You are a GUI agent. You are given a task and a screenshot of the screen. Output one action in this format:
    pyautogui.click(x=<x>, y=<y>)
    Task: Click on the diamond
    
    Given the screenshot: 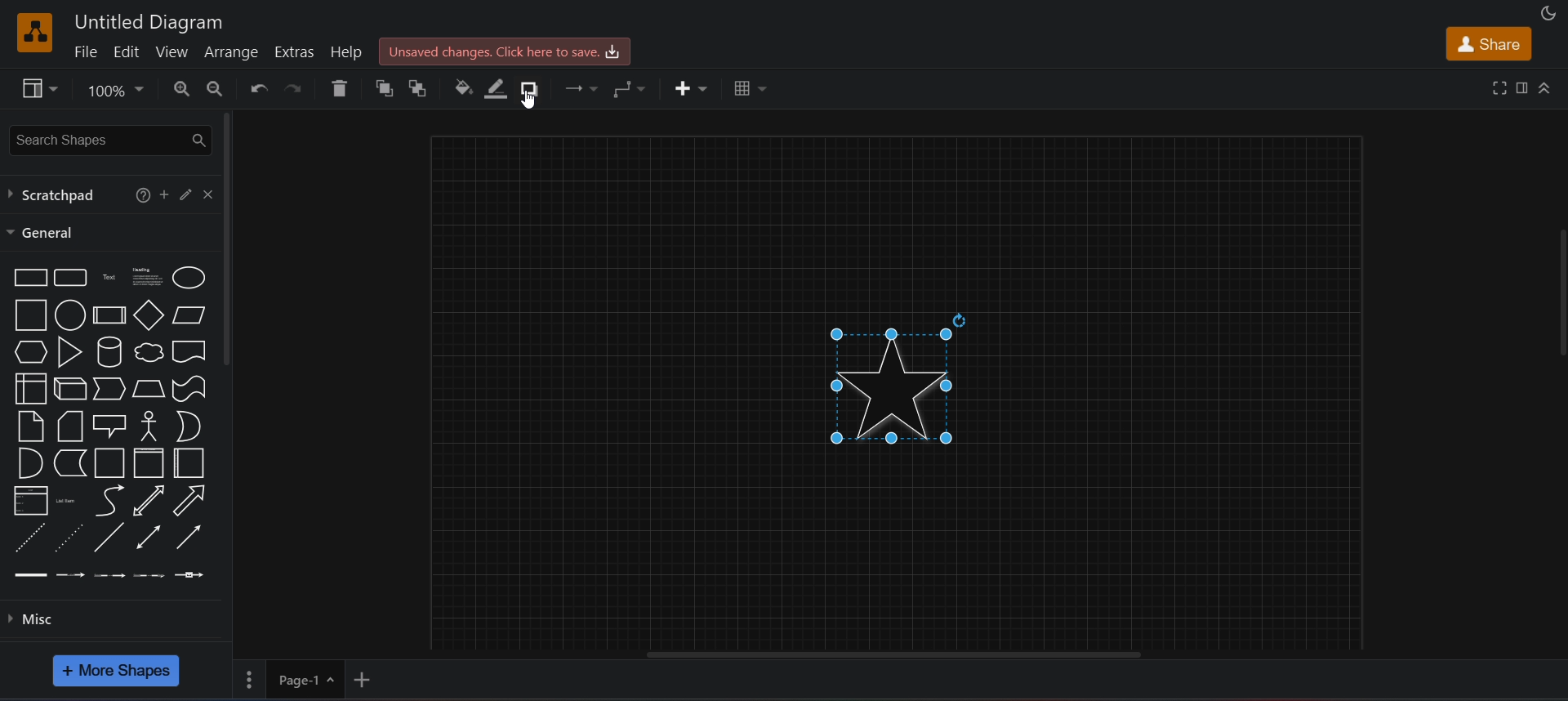 What is the action you would take?
    pyautogui.click(x=146, y=314)
    